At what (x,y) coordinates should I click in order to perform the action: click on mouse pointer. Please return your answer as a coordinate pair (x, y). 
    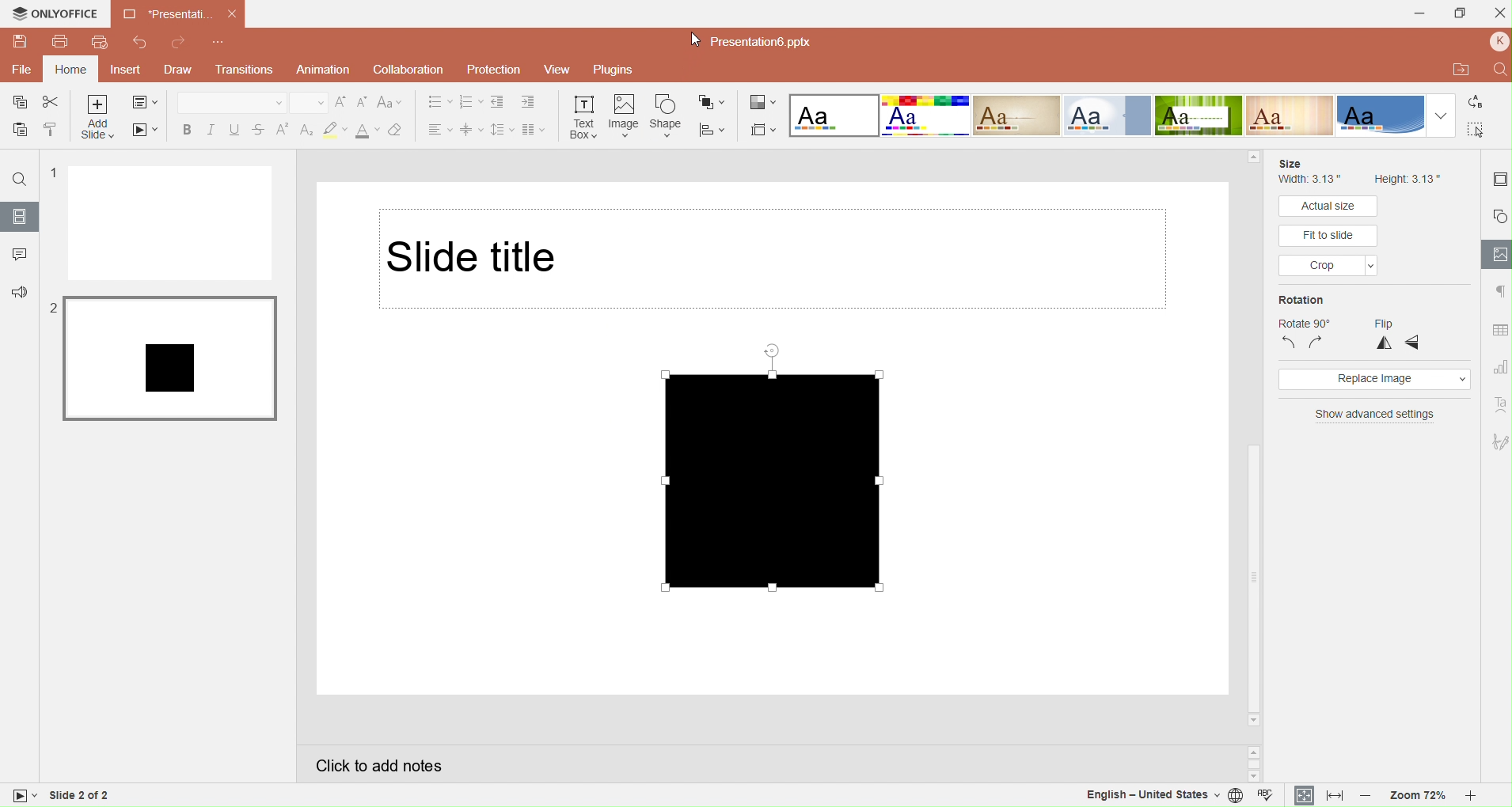
    Looking at the image, I should click on (690, 37).